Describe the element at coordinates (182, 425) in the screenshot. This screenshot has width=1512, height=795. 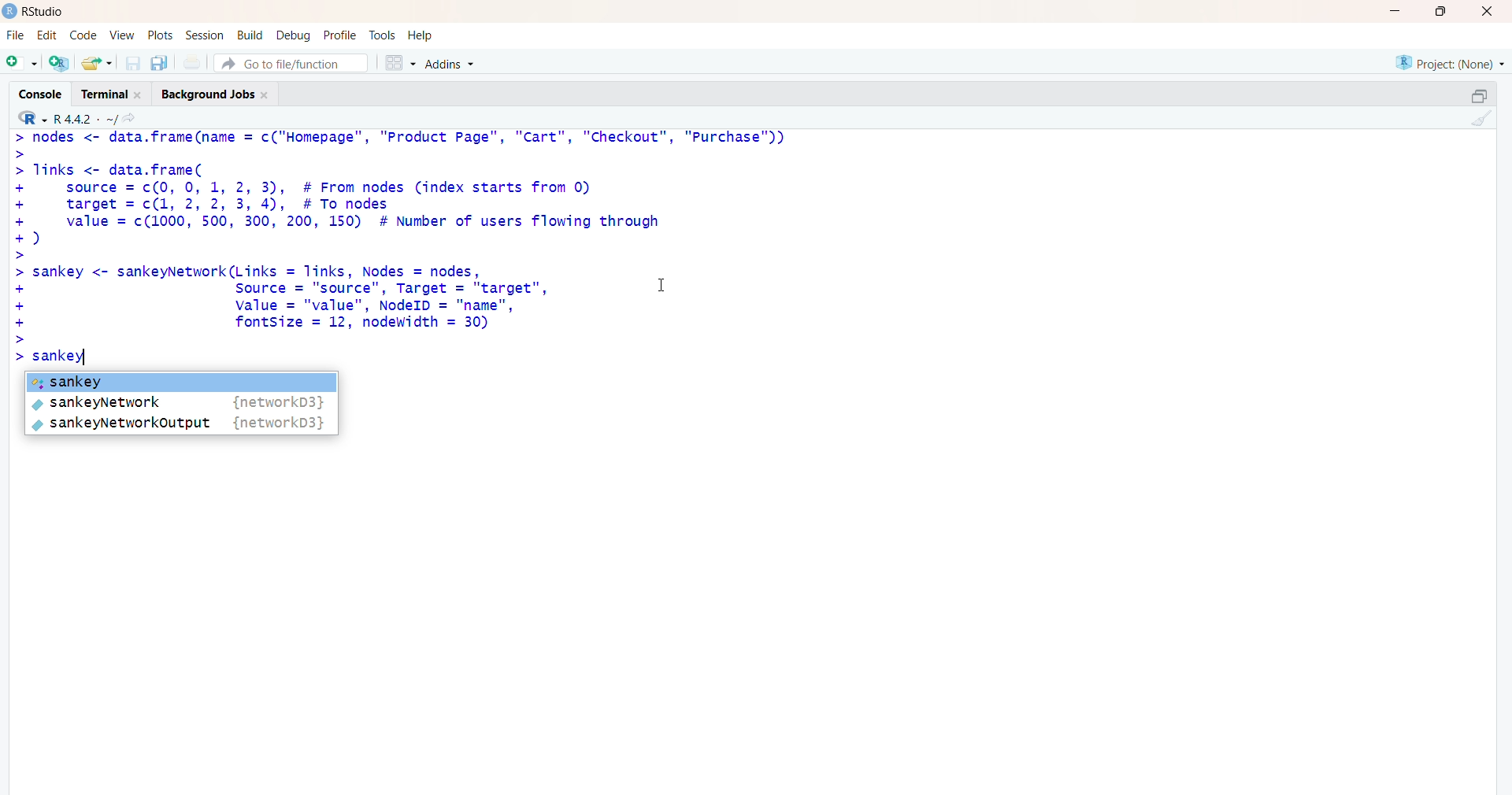
I see `¢ sankeyNetworkOutput {networkD3}` at that location.